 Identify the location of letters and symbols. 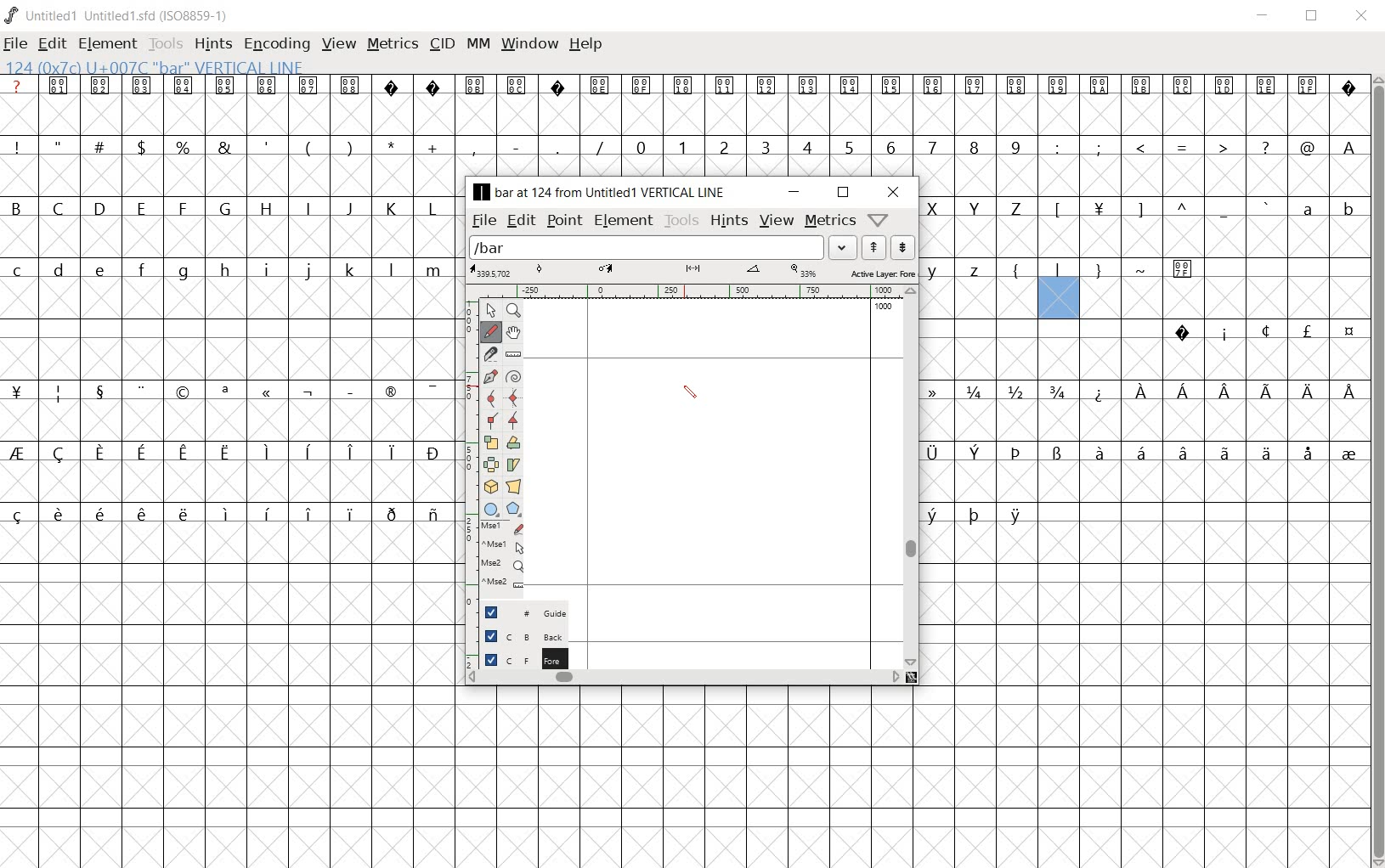
(227, 270).